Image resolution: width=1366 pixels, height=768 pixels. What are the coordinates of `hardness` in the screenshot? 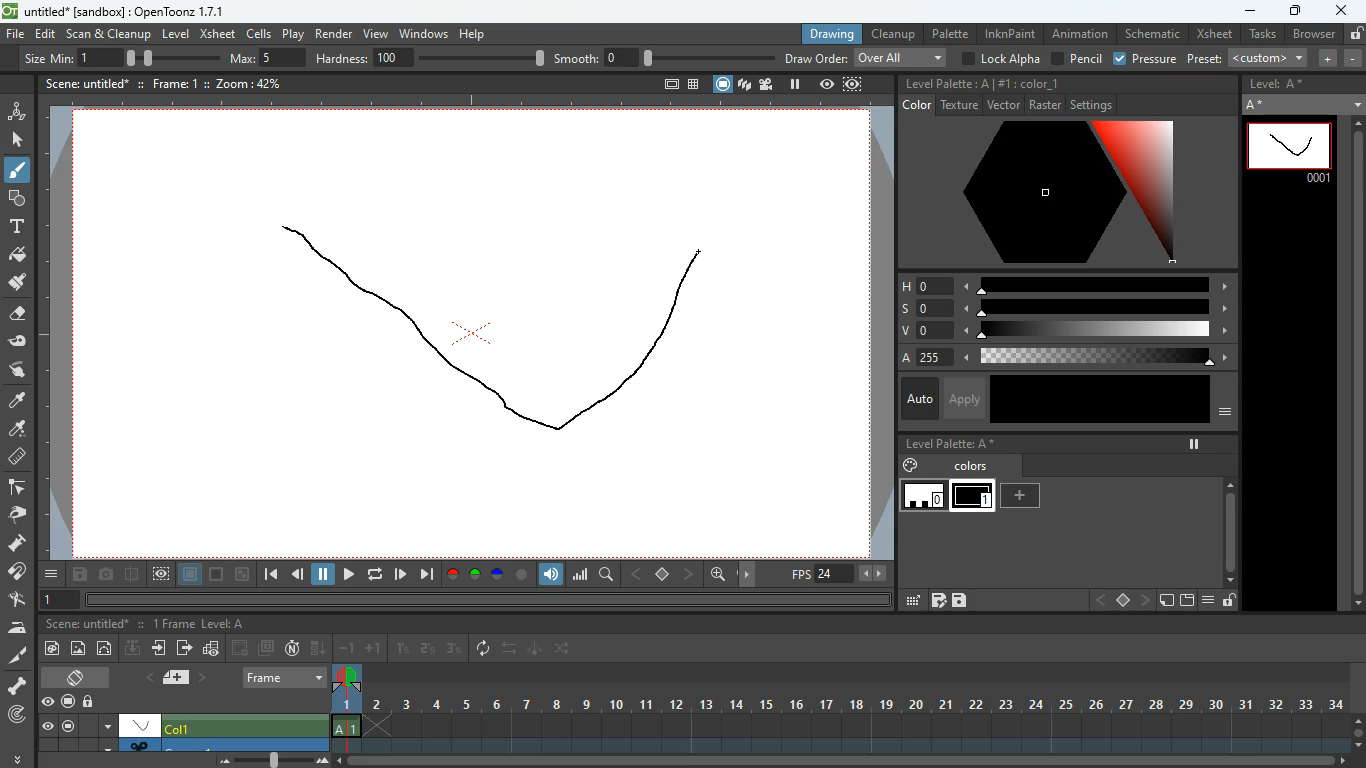 It's located at (430, 58).